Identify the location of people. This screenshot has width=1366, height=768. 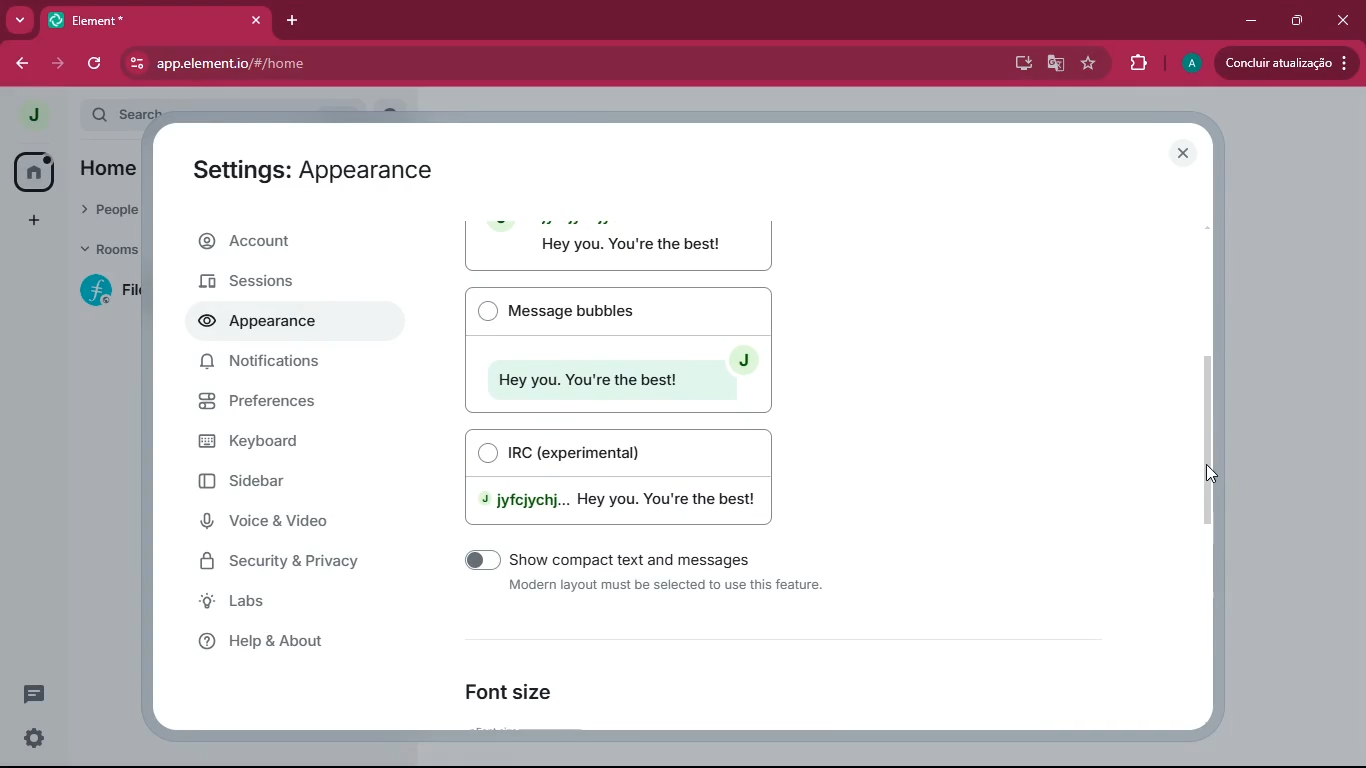
(112, 209).